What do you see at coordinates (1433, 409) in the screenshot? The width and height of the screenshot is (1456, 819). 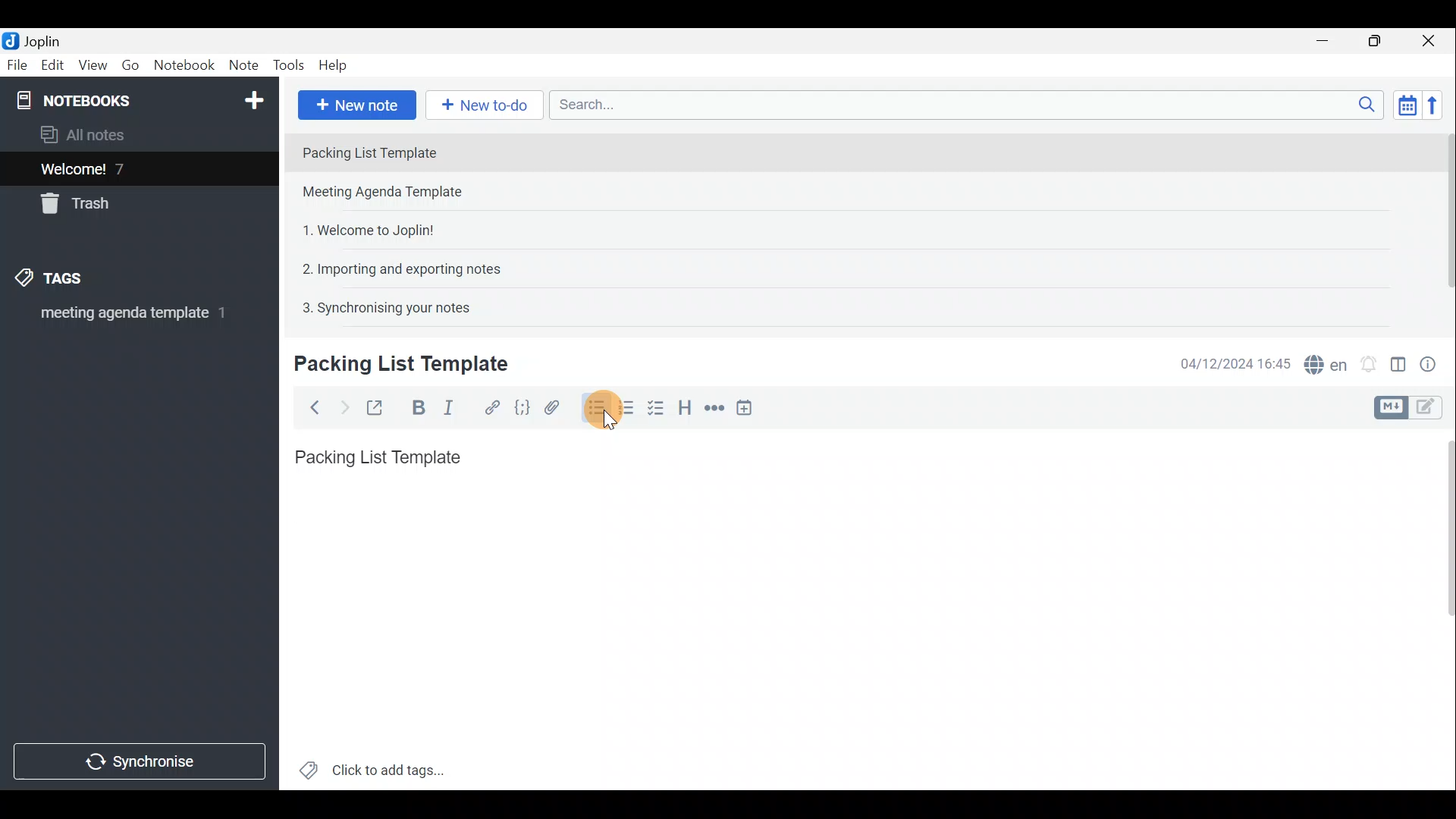 I see `Toggle editors` at bounding box center [1433, 409].